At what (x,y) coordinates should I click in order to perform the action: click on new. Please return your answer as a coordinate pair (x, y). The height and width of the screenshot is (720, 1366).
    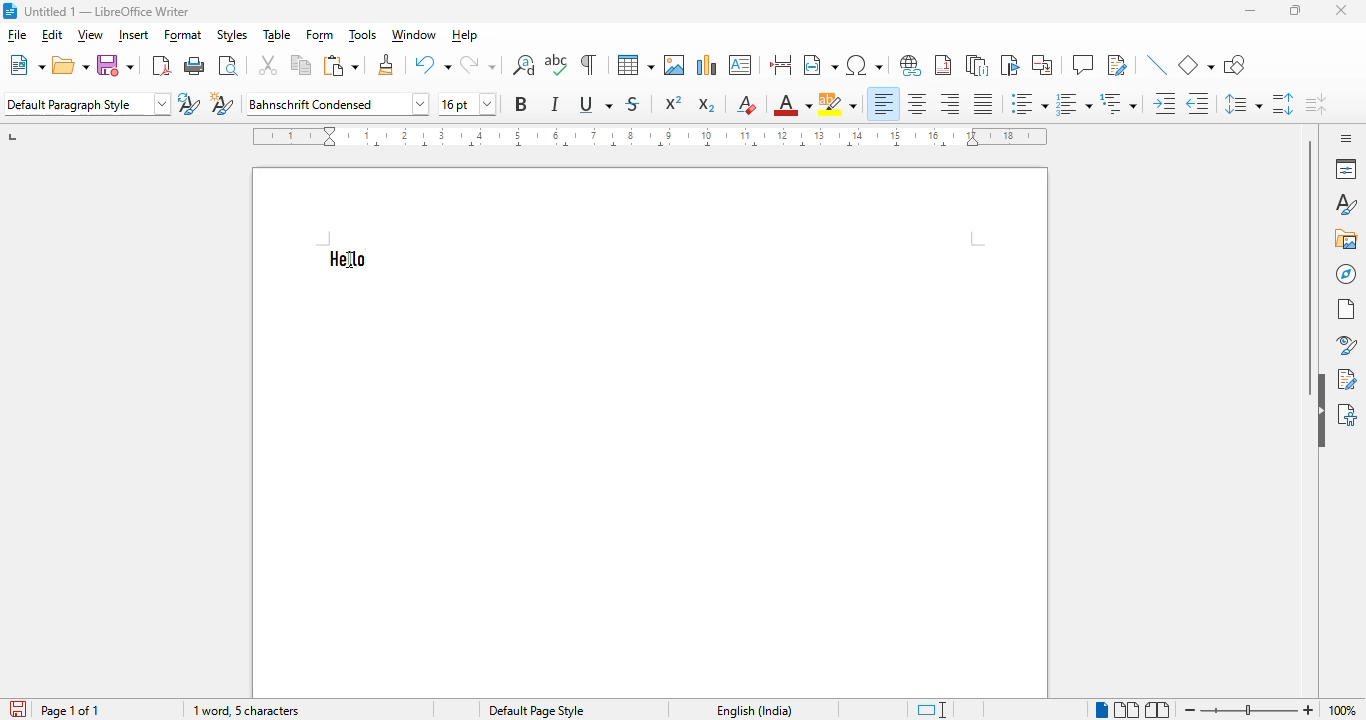
    Looking at the image, I should click on (27, 64).